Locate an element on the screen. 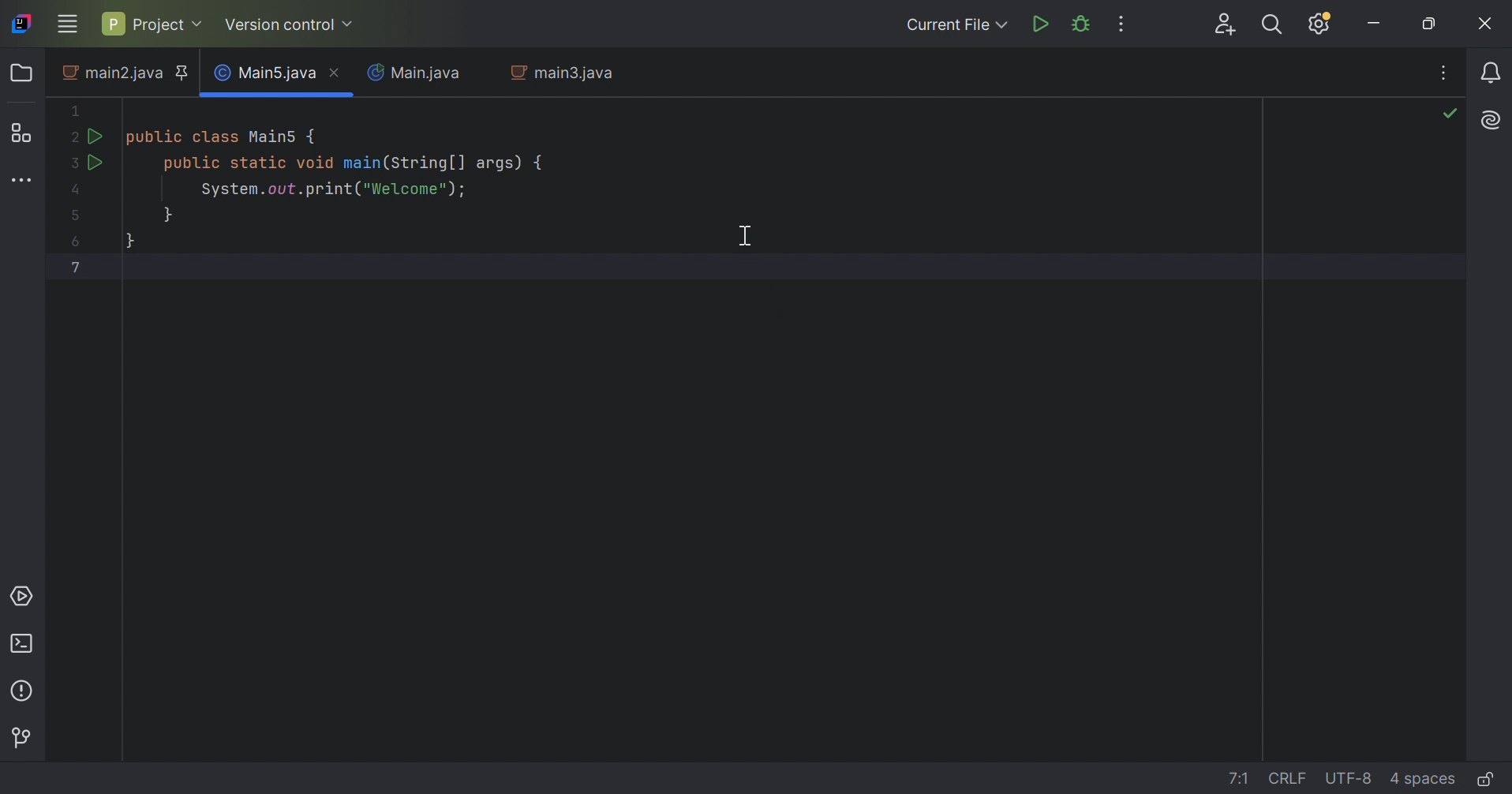  Run is located at coordinates (1041, 25).